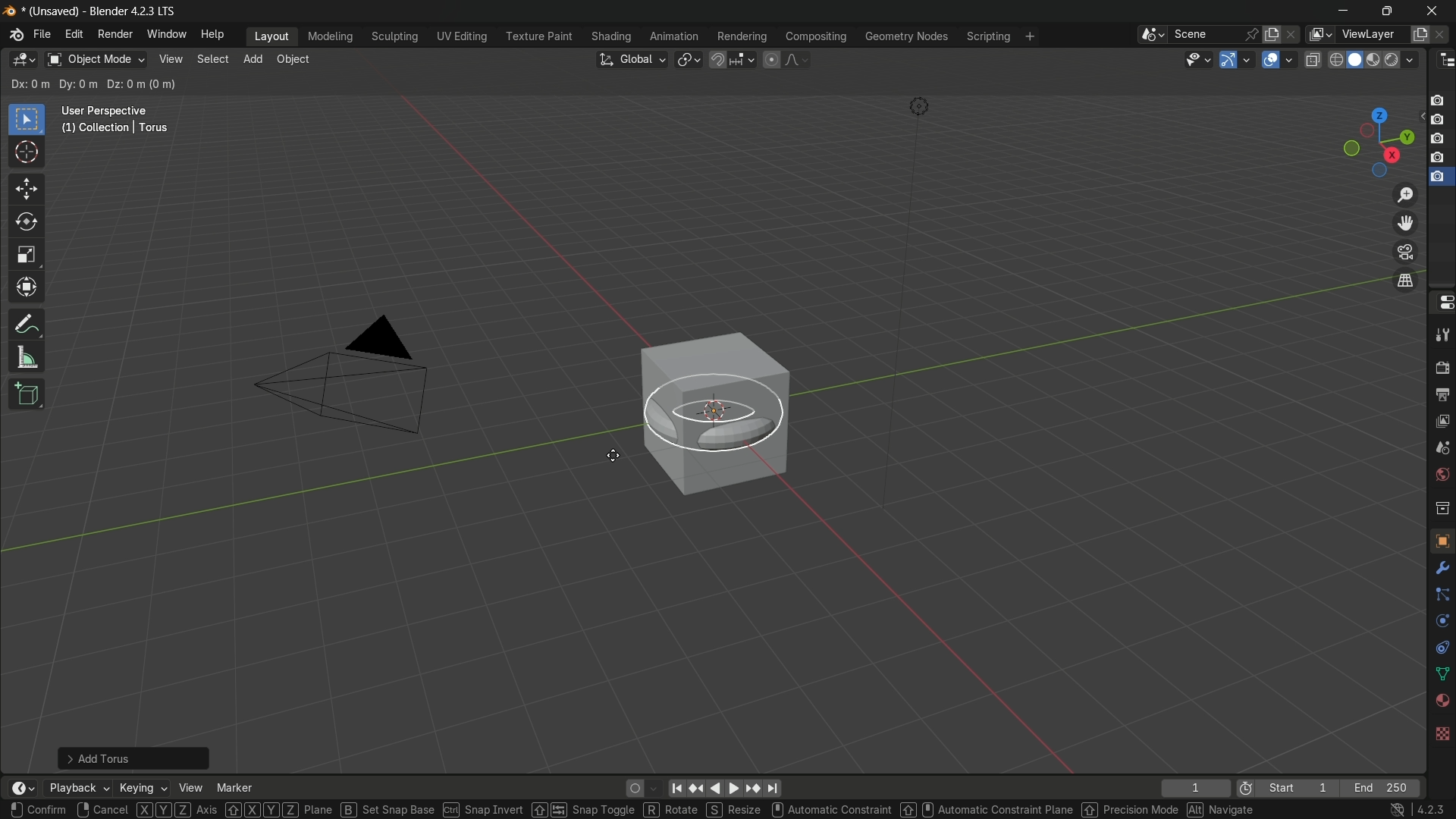  Describe the element at coordinates (331, 37) in the screenshot. I see `modeling` at that location.